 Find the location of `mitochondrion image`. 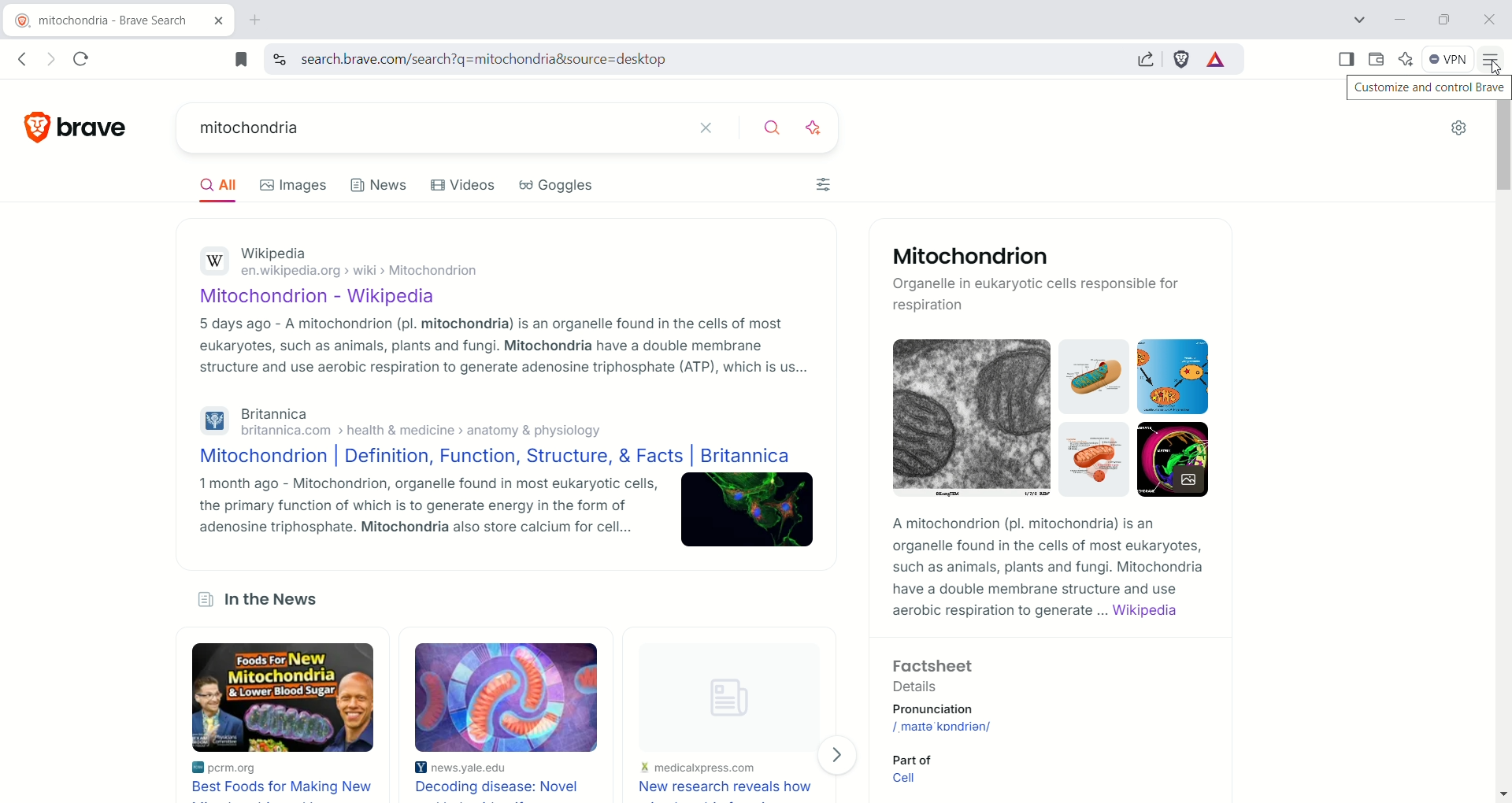

mitochondrion image is located at coordinates (764, 509).